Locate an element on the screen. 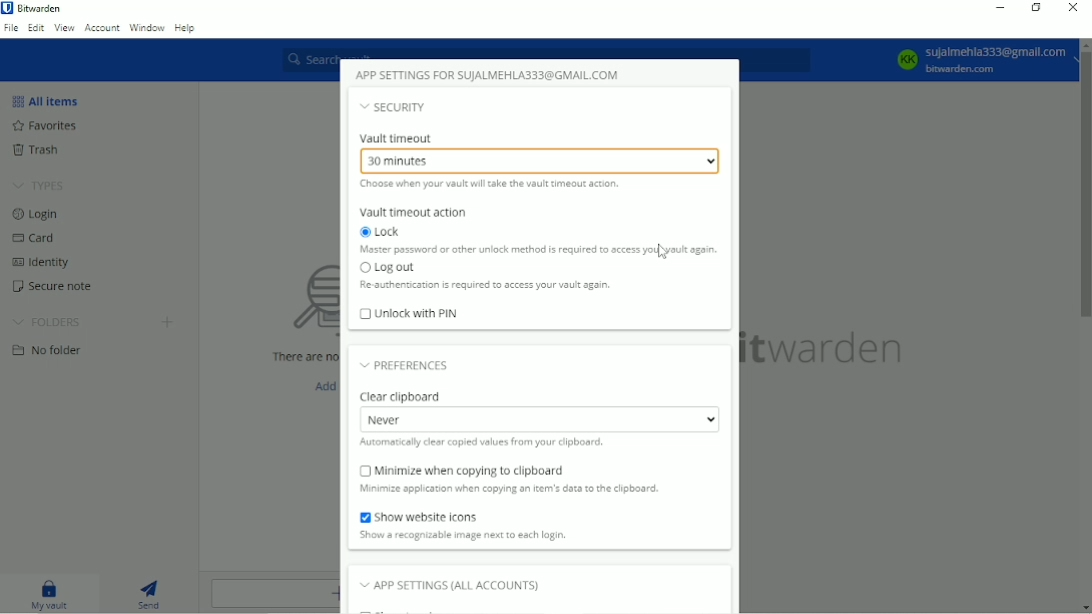  Minimize when copying to clipboard is located at coordinates (466, 470).